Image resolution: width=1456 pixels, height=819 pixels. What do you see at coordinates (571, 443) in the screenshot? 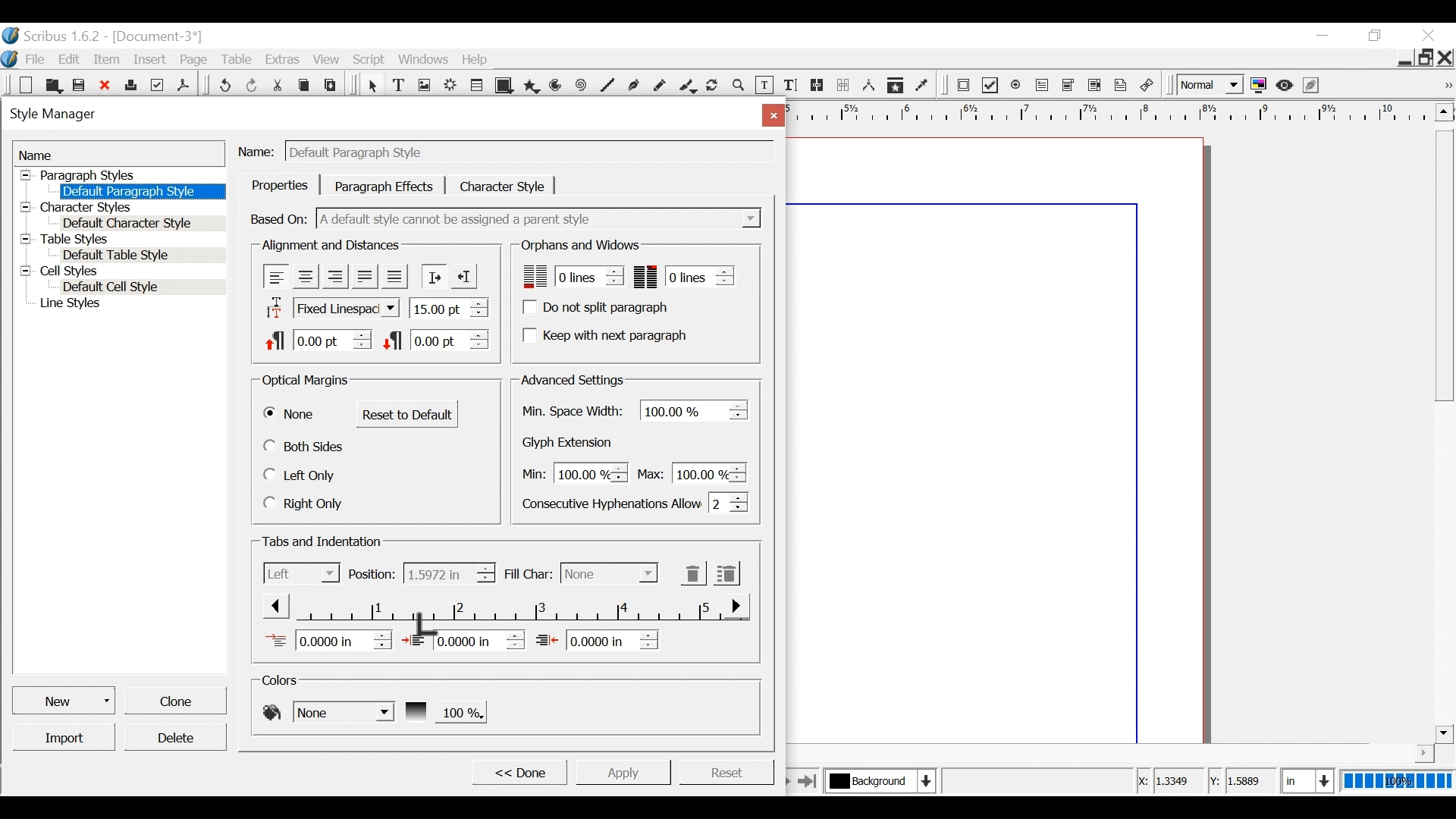
I see `Glyph extension` at bounding box center [571, 443].